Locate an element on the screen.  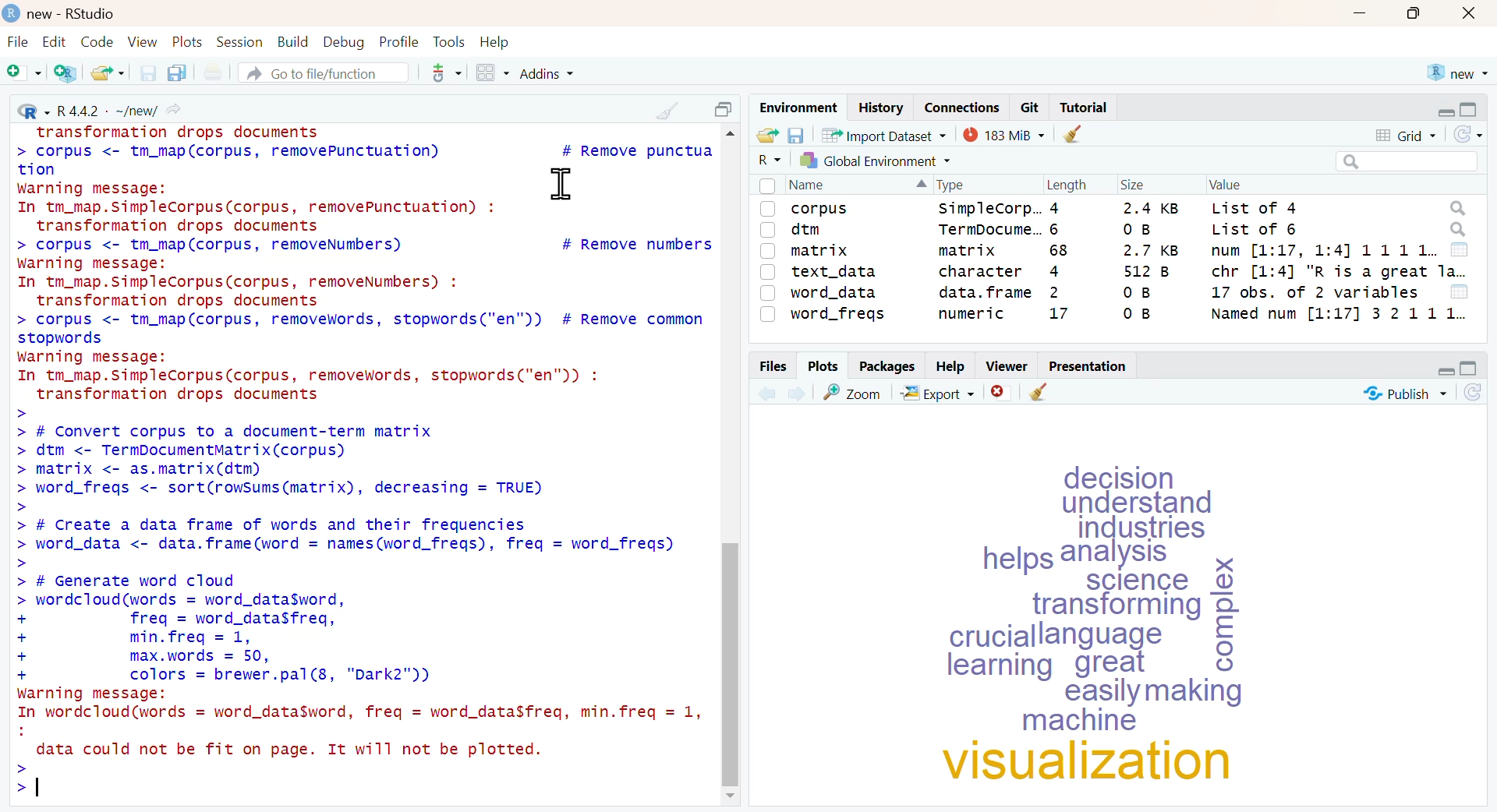
SimpleCorp... is located at coordinates (993, 207).